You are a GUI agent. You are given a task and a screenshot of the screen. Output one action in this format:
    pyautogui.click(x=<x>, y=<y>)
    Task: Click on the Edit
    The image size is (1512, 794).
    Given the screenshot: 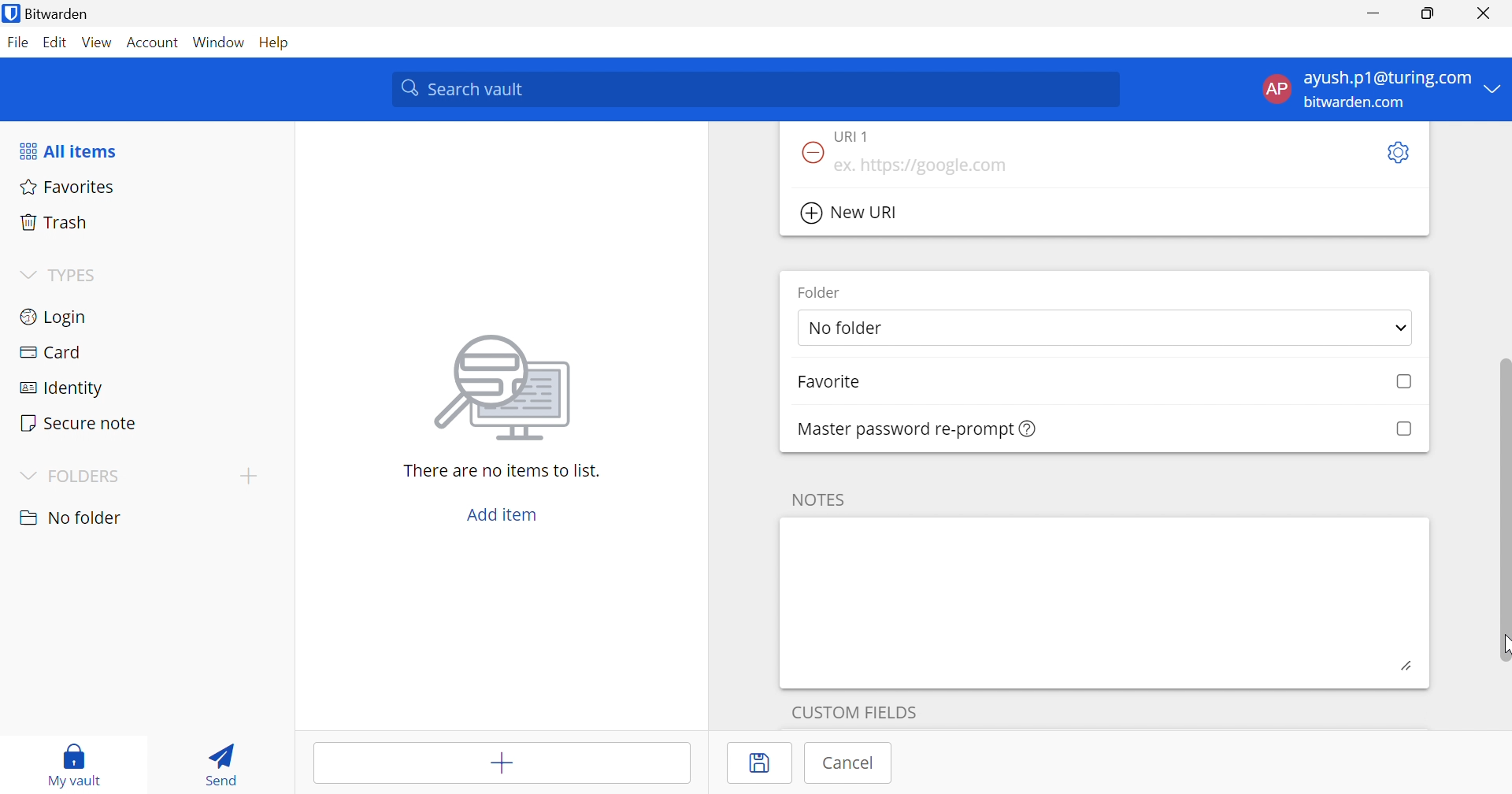 What is the action you would take?
    pyautogui.click(x=54, y=43)
    